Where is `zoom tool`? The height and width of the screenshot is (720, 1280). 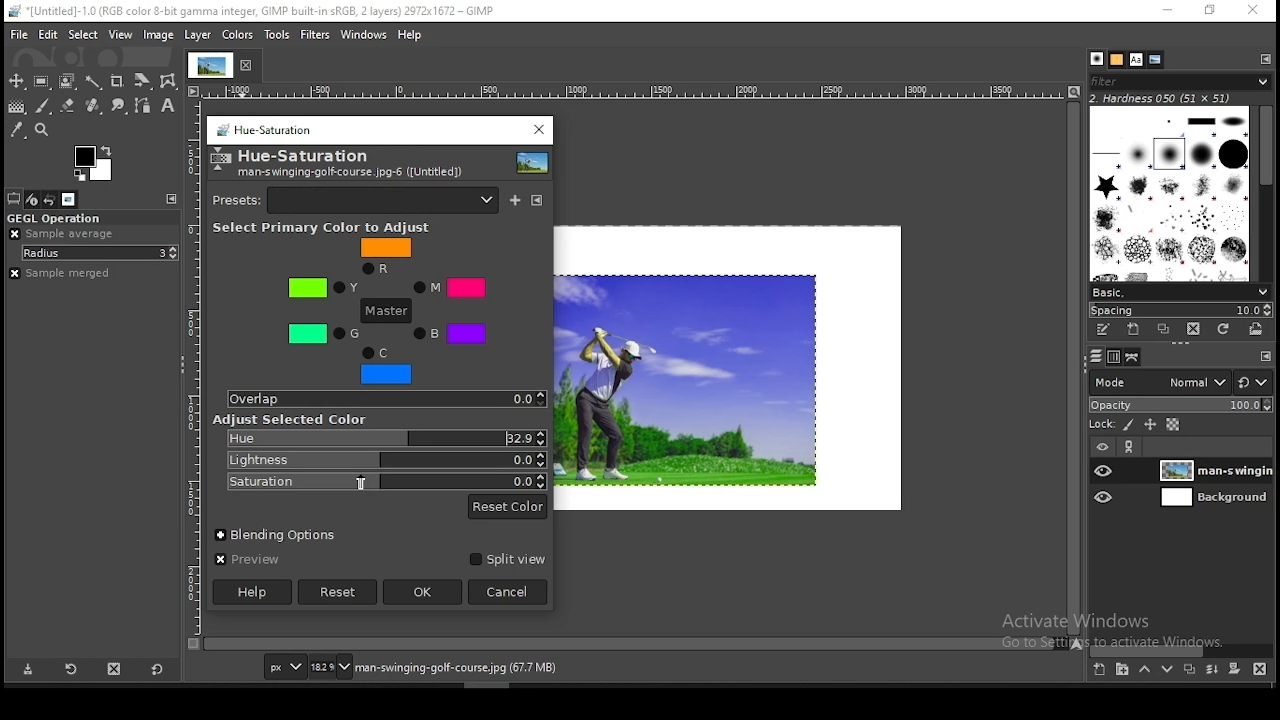
zoom tool is located at coordinates (43, 131).